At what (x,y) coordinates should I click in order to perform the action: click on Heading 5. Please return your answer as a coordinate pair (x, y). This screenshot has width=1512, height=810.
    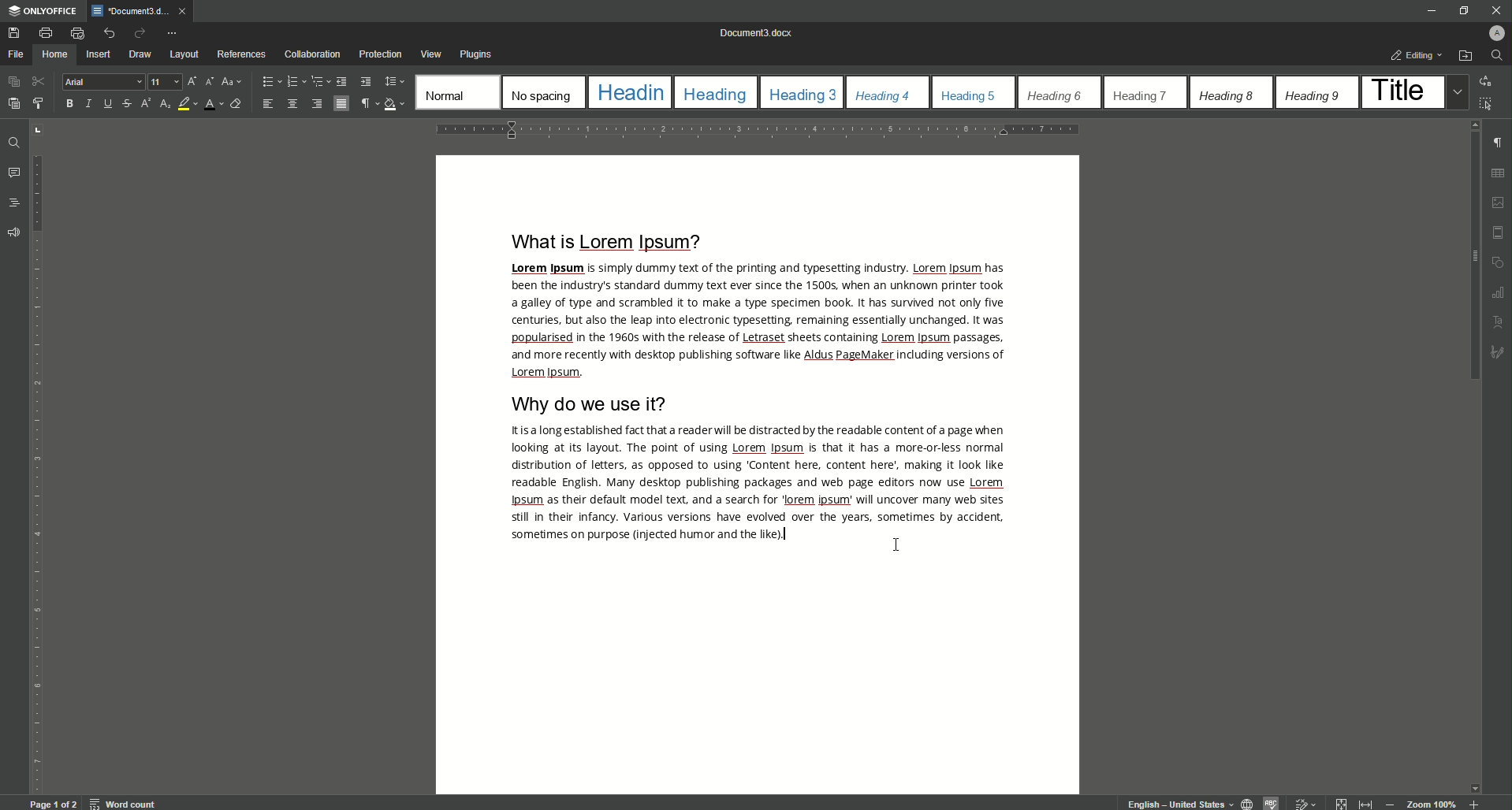
    Looking at the image, I should click on (970, 95).